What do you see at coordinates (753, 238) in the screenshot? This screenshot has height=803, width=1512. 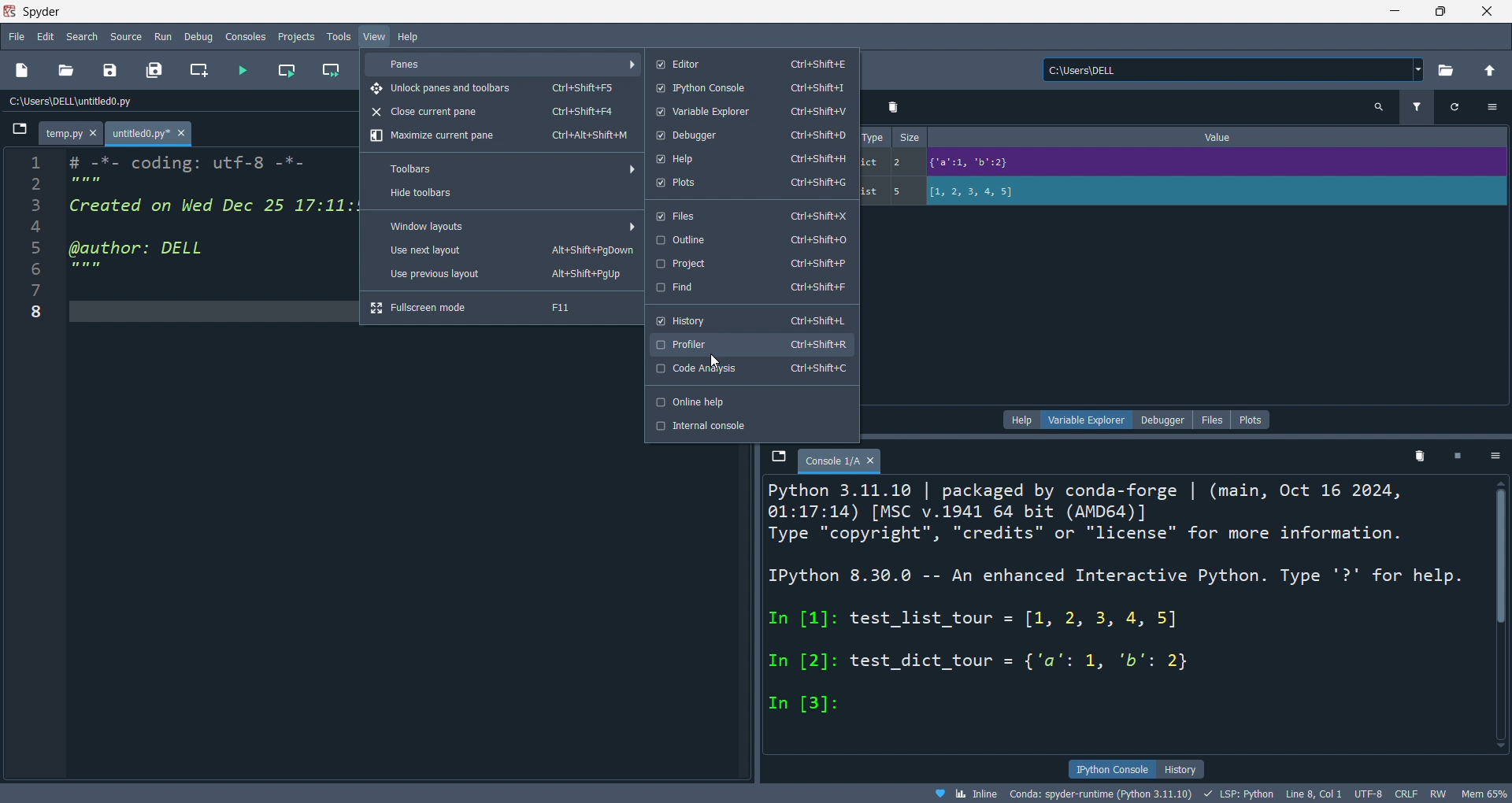 I see `outline` at bounding box center [753, 238].